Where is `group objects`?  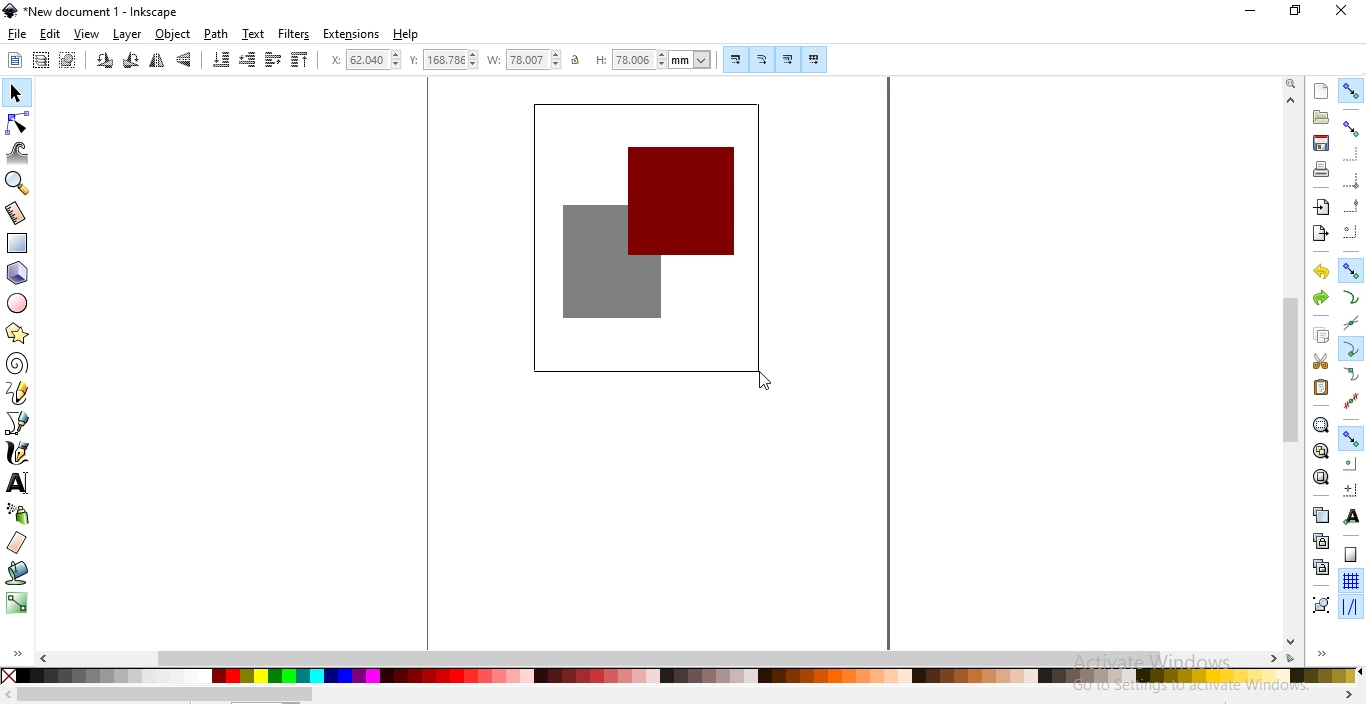 group objects is located at coordinates (1320, 606).